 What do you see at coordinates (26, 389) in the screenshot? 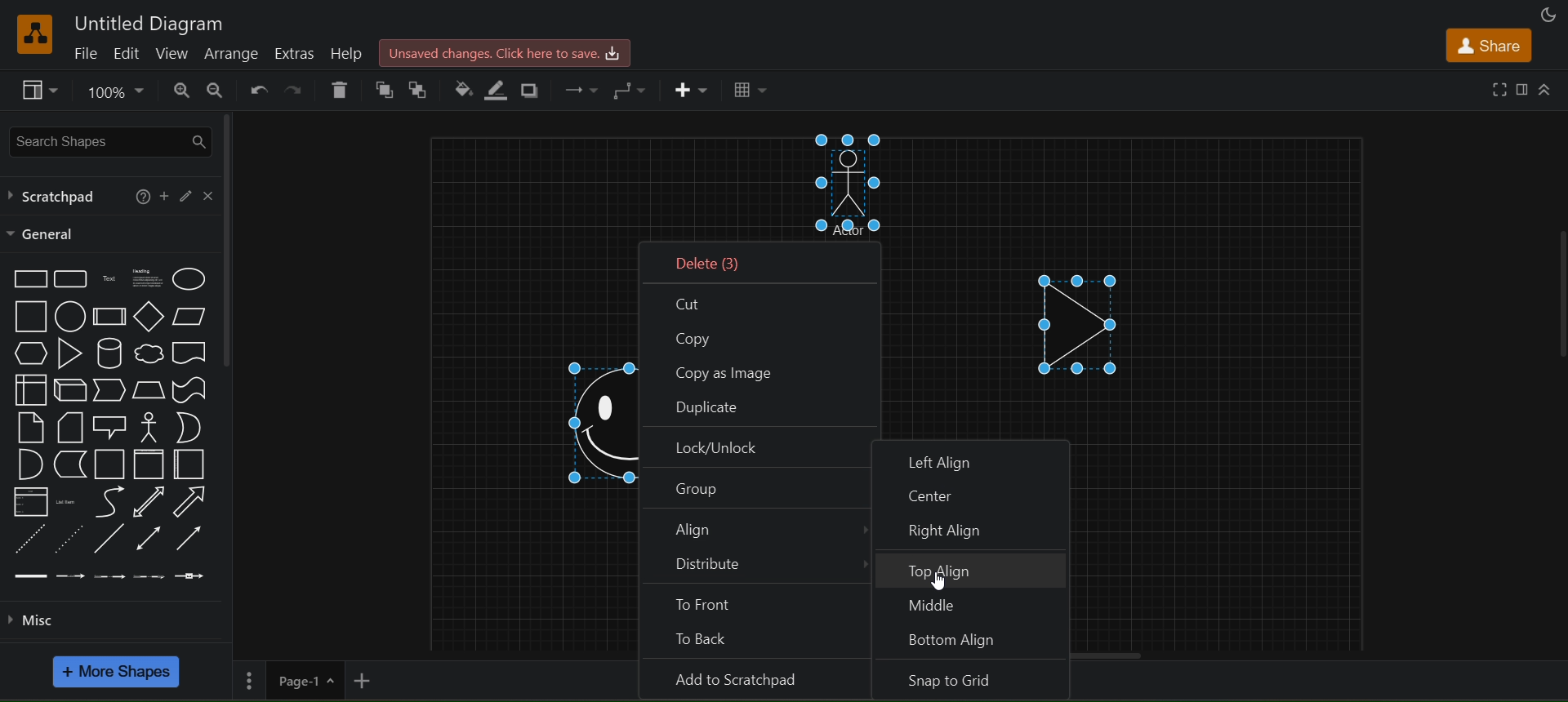
I see `internal storage` at bounding box center [26, 389].